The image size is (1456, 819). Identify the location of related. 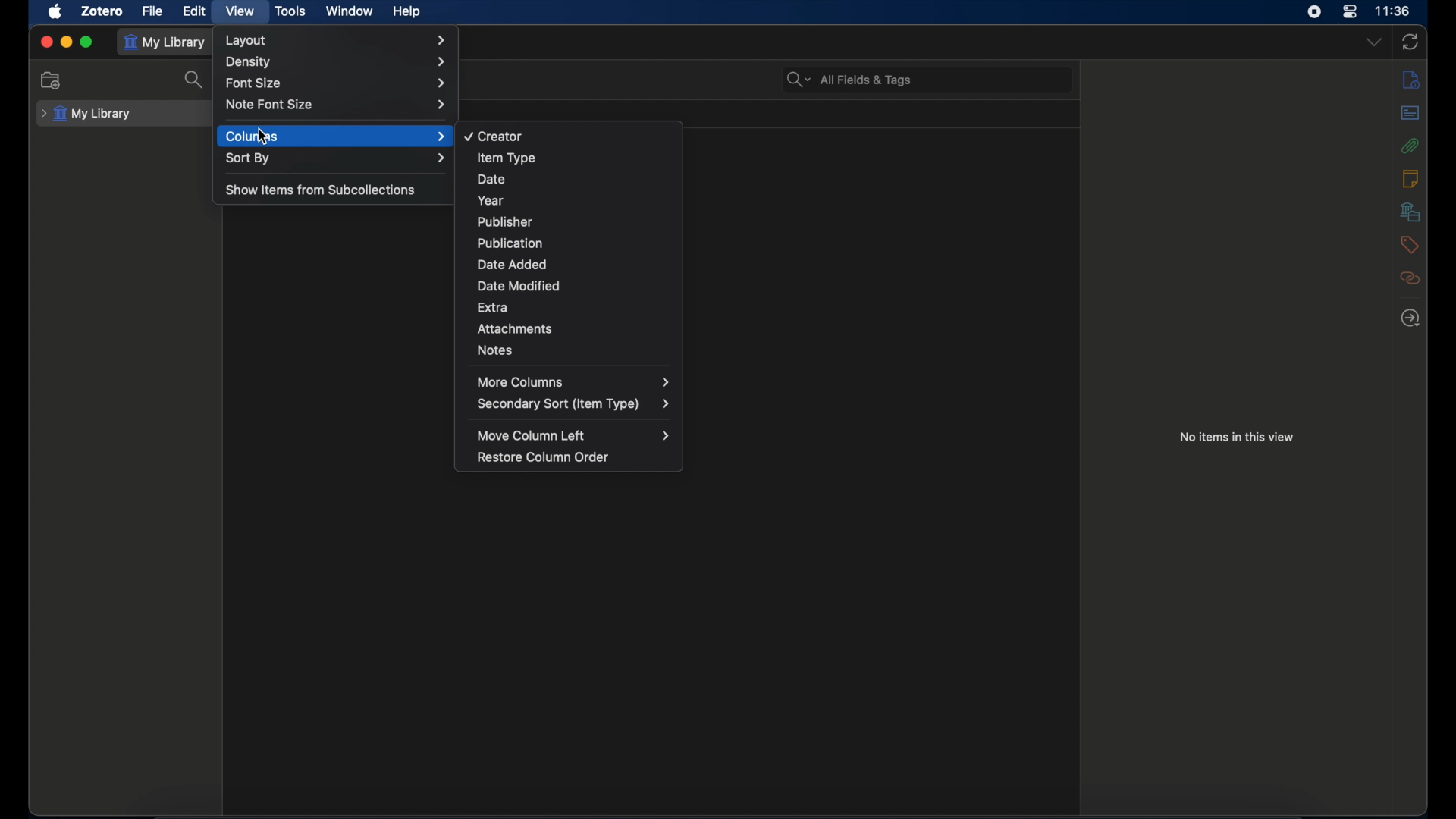
(1411, 318).